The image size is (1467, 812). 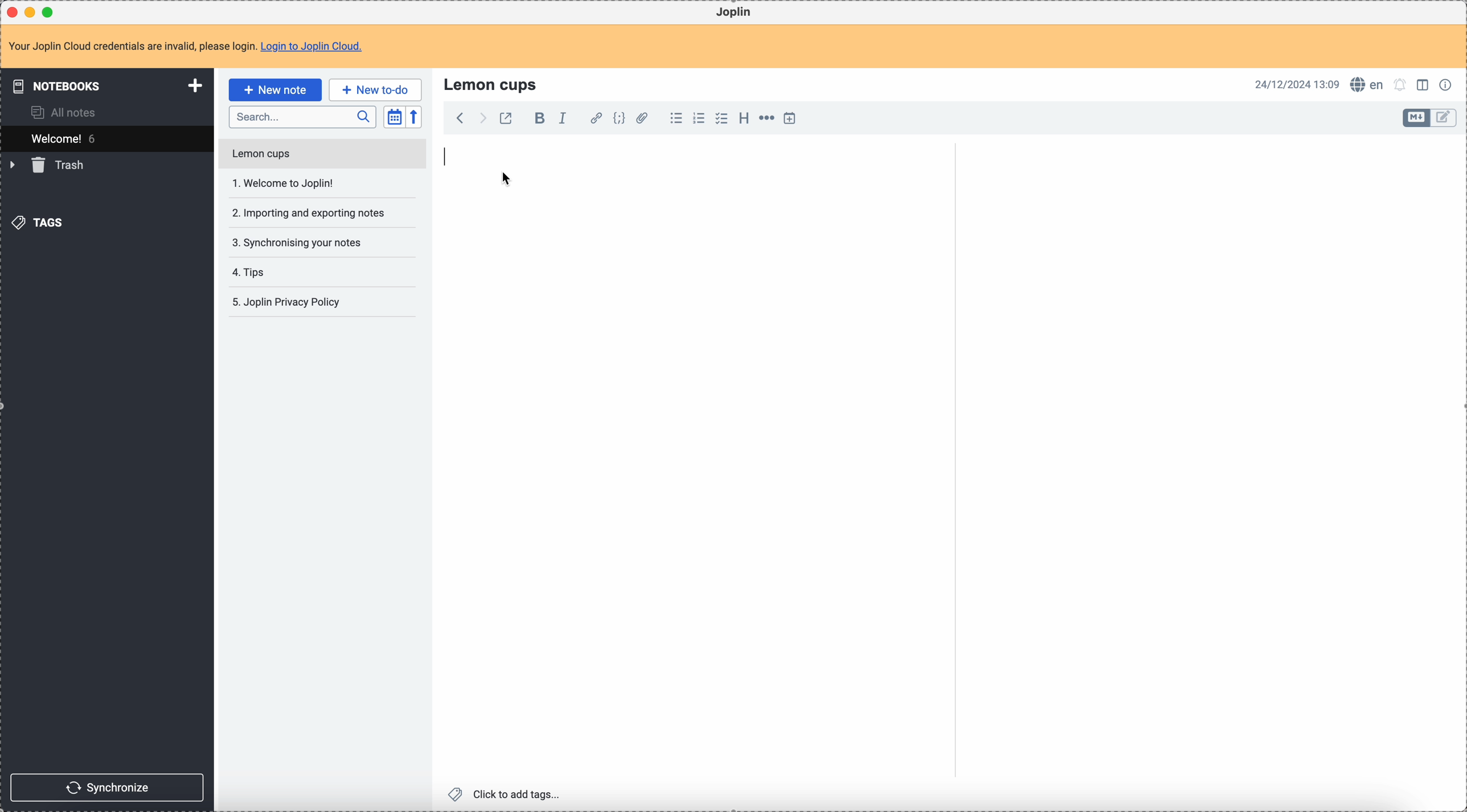 What do you see at coordinates (508, 179) in the screenshot?
I see `cursor` at bounding box center [508, 179].